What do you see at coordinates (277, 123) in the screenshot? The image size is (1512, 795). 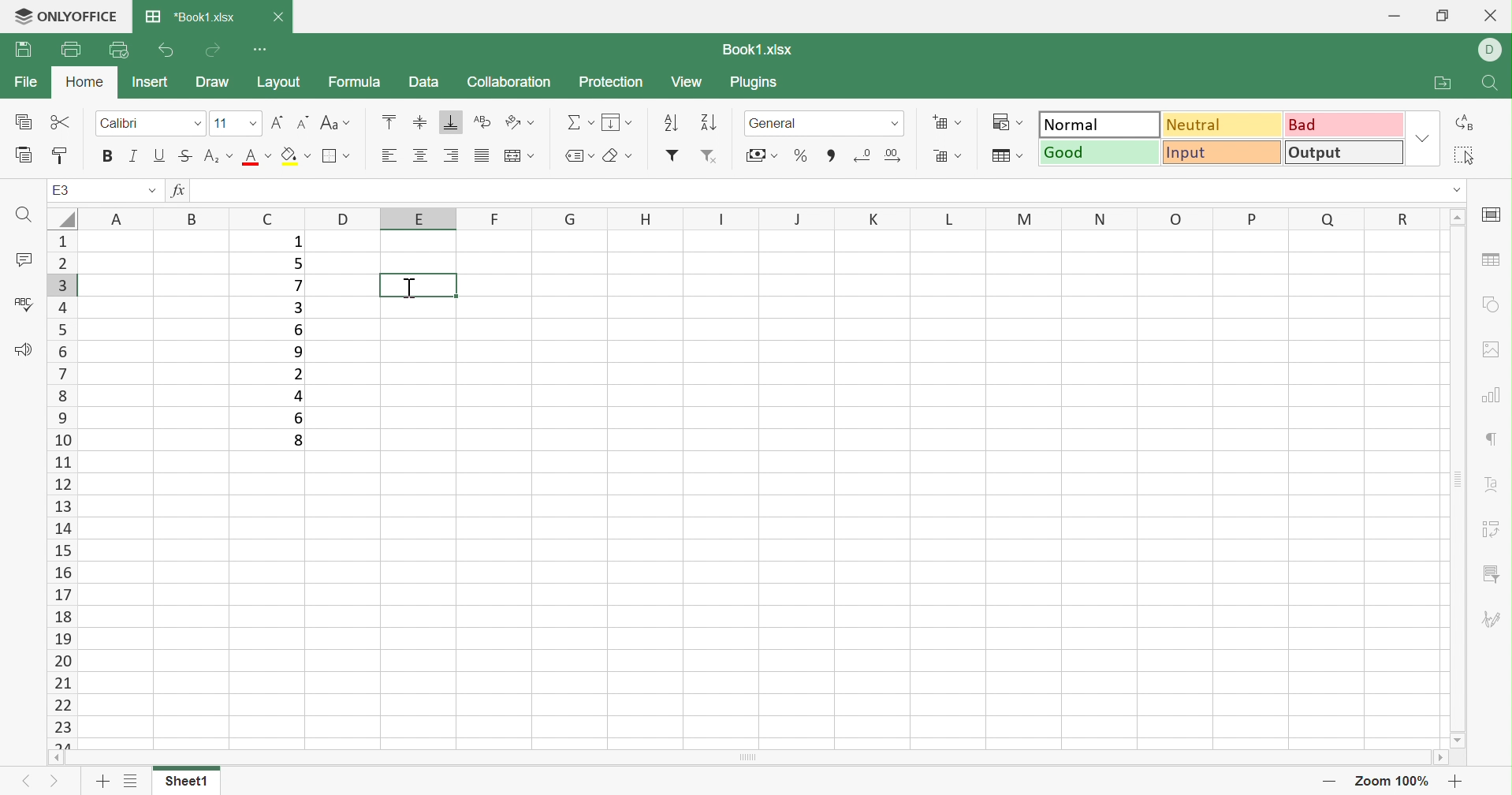 I see `Increment font size` at bounding box center [277, 123].